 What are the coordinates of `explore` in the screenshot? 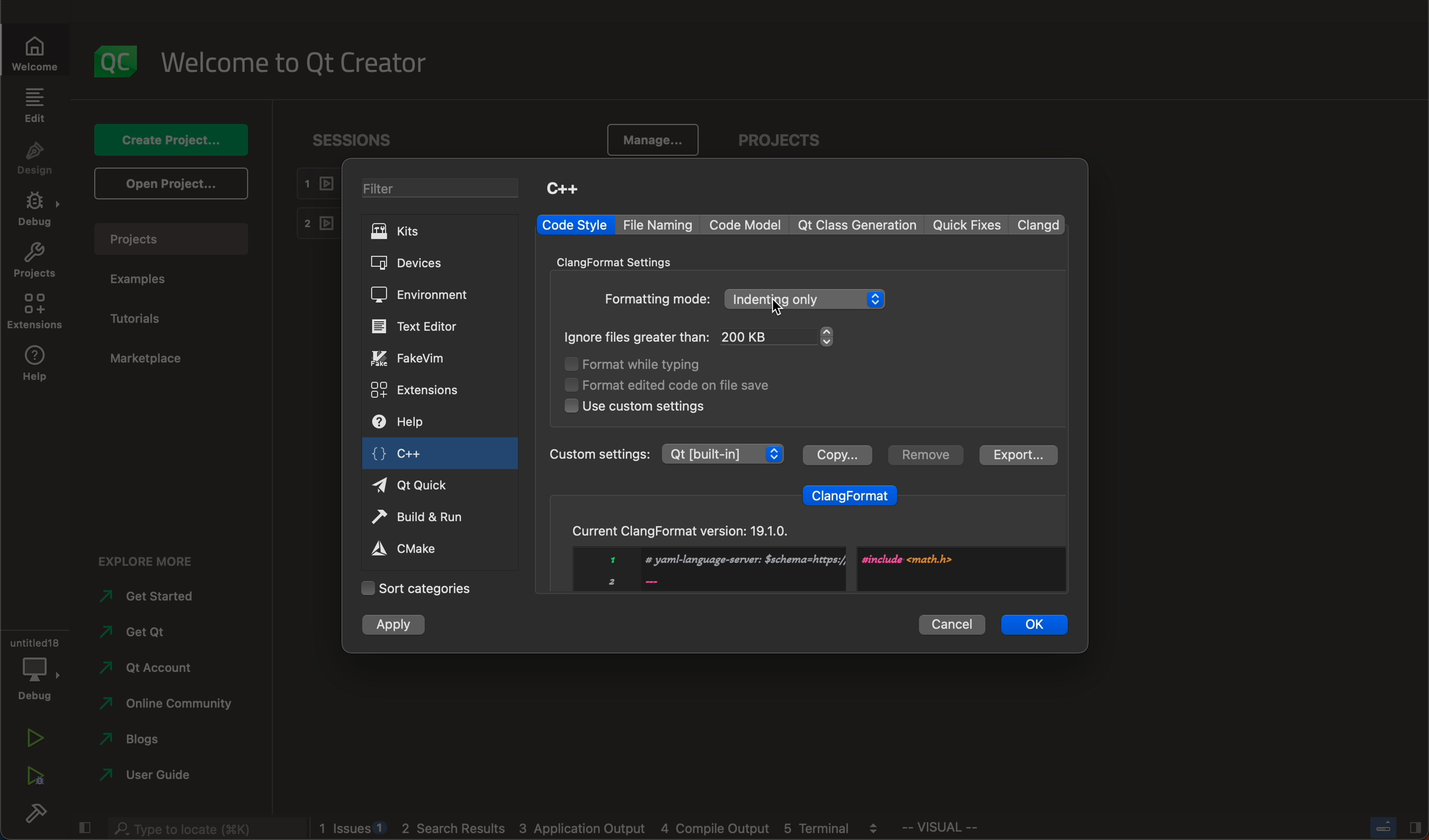 It's located at (155, 558).